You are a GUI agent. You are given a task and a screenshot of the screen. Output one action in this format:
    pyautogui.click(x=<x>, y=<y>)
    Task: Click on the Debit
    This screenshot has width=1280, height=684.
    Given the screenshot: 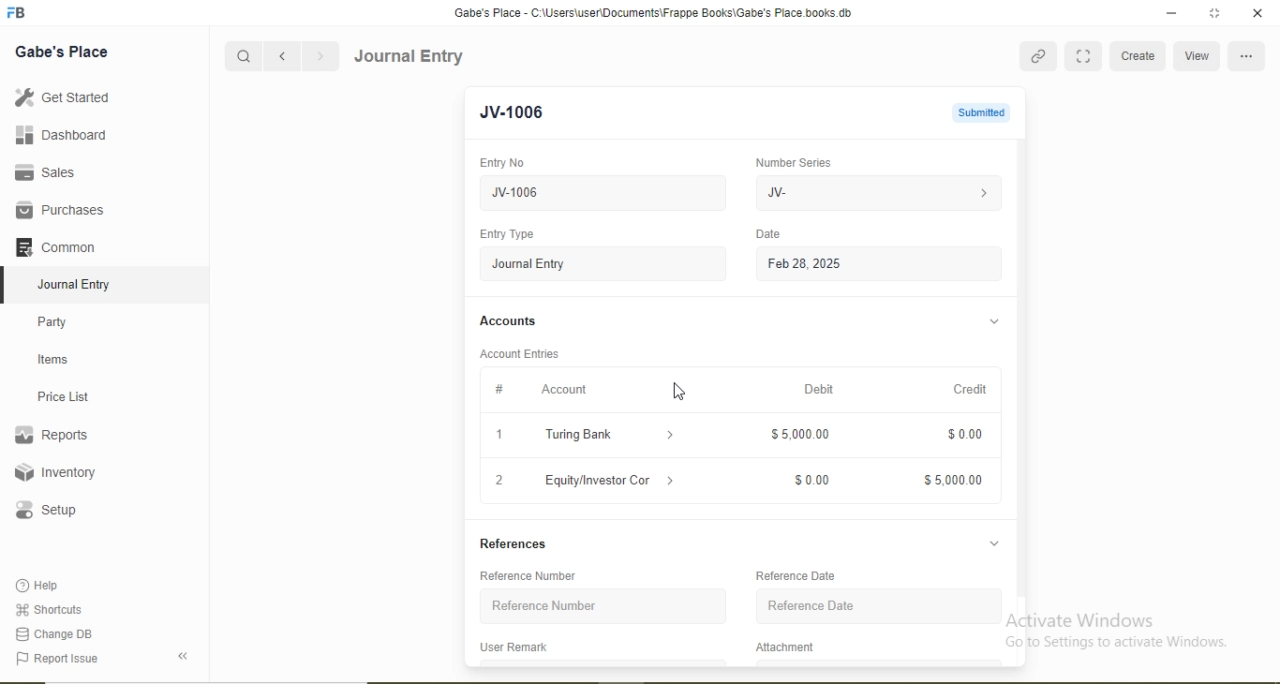 What is the action you would take?
    pyautogui.click(x=819, y=389)
    